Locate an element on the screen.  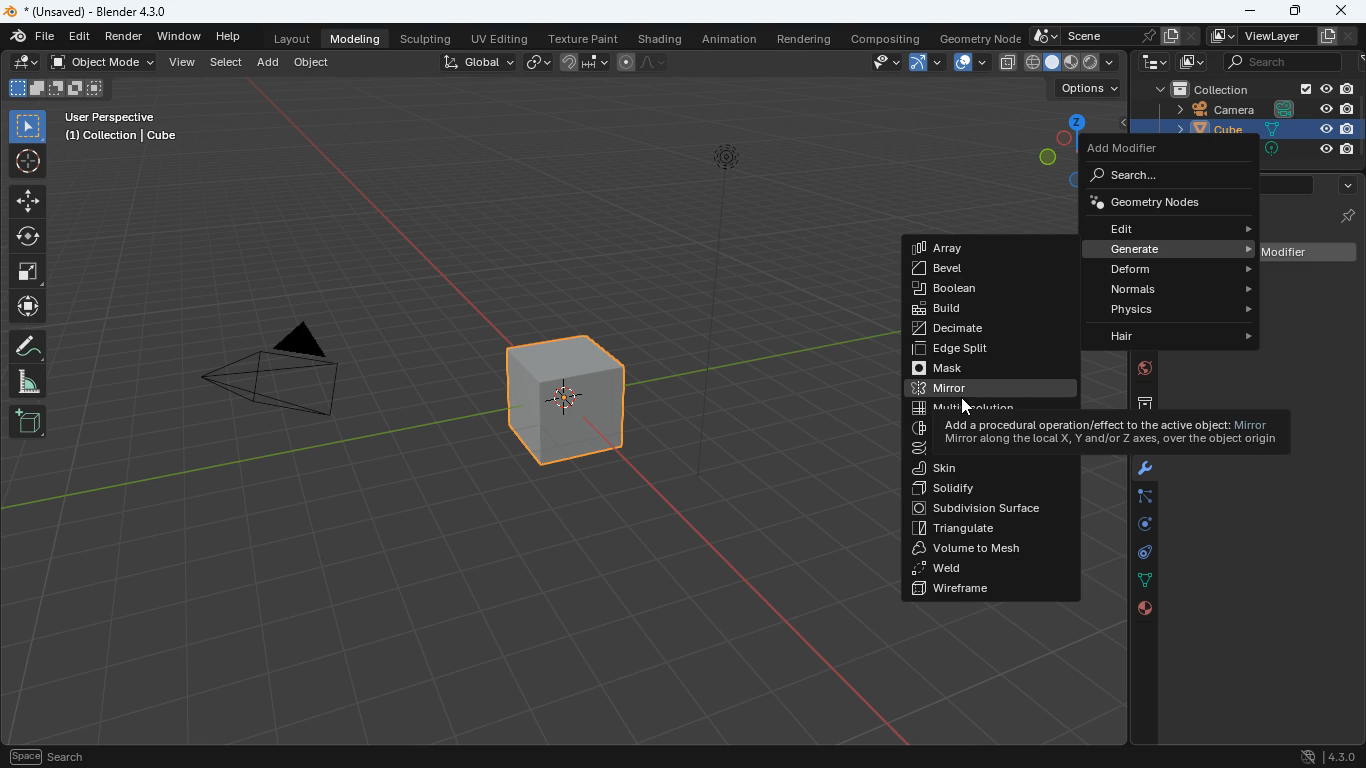
version is located at coordinates (1331, 756).